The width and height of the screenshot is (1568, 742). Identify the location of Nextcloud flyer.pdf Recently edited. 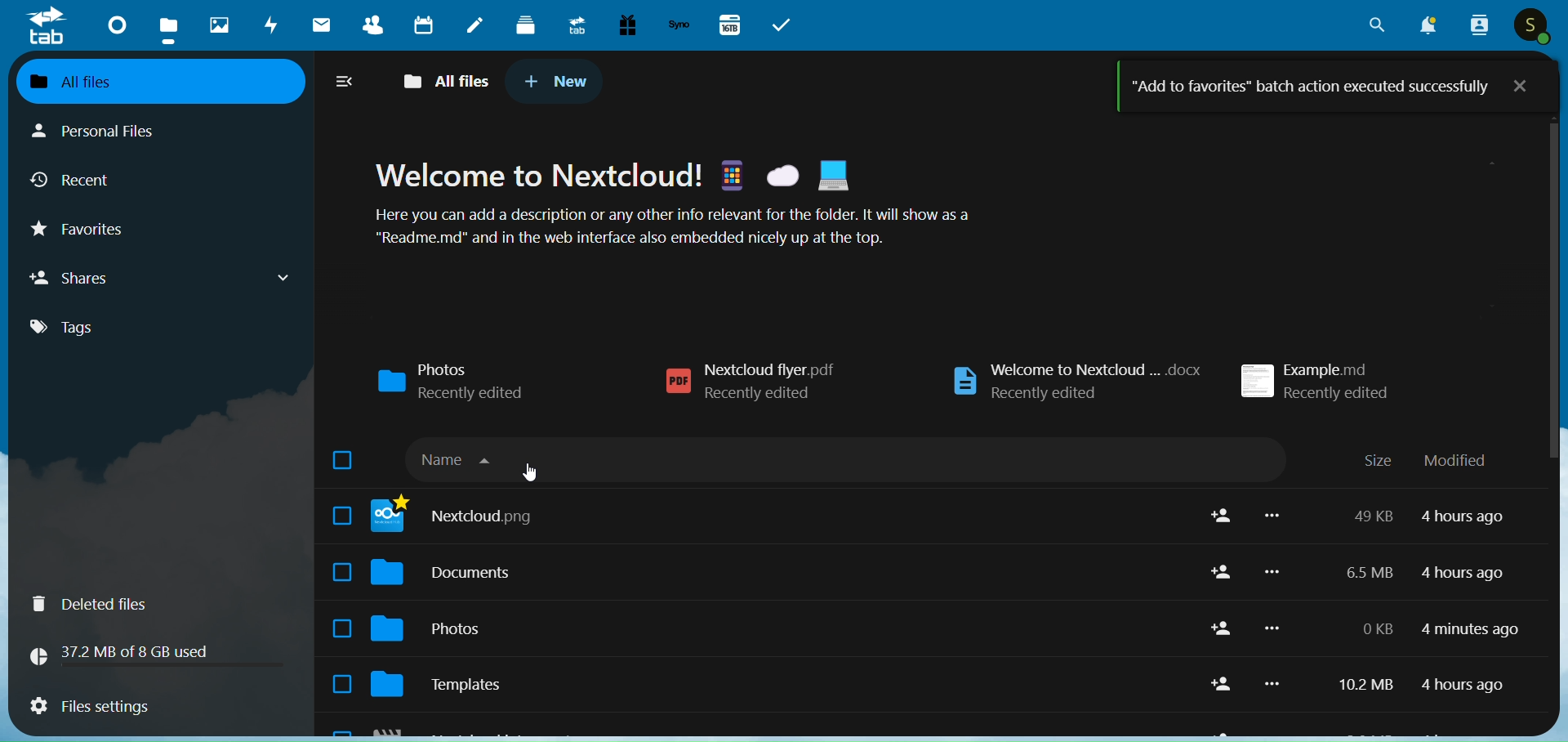
(750, 382).